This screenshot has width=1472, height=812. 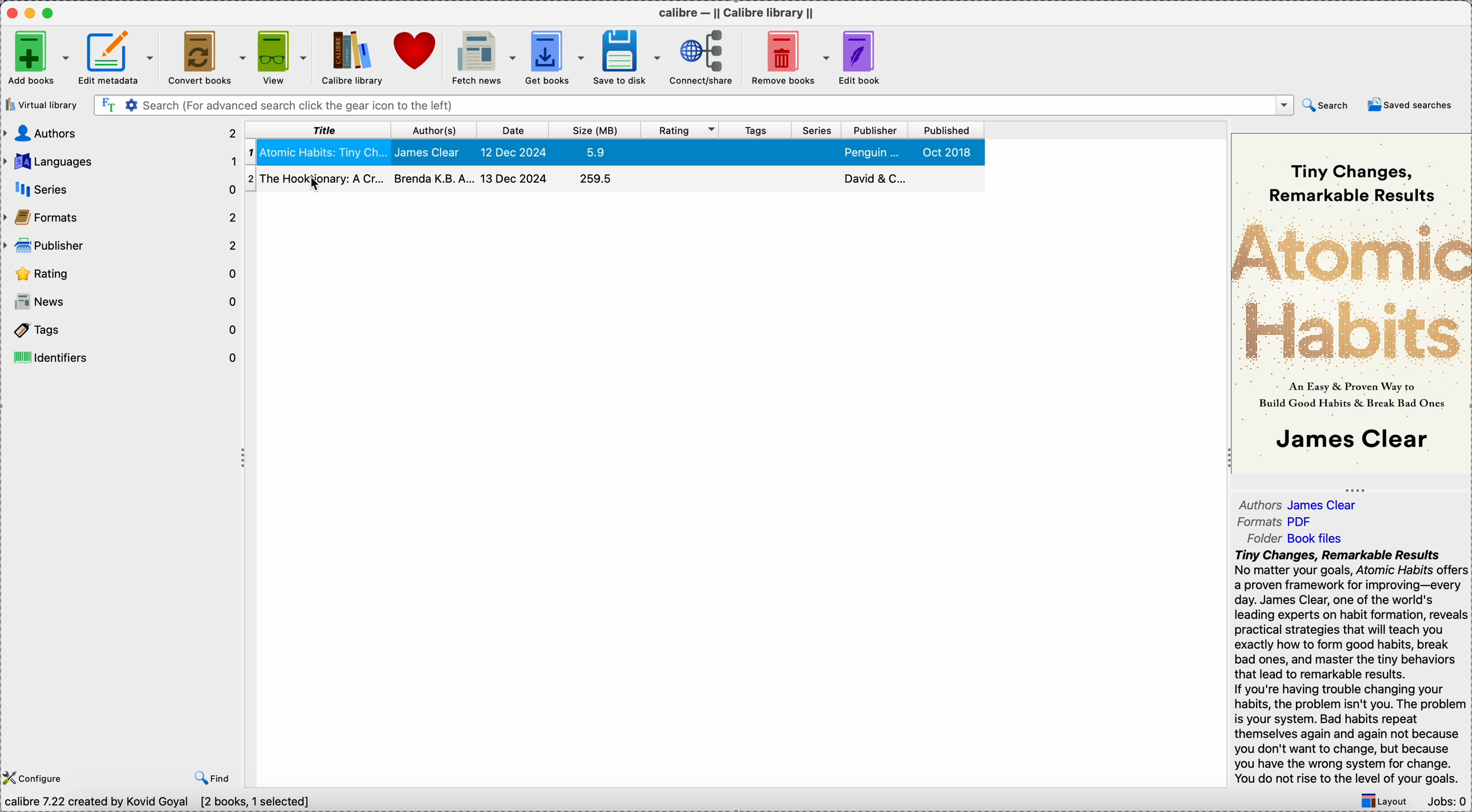 I want to click on donate, so click(x=414, y=51).